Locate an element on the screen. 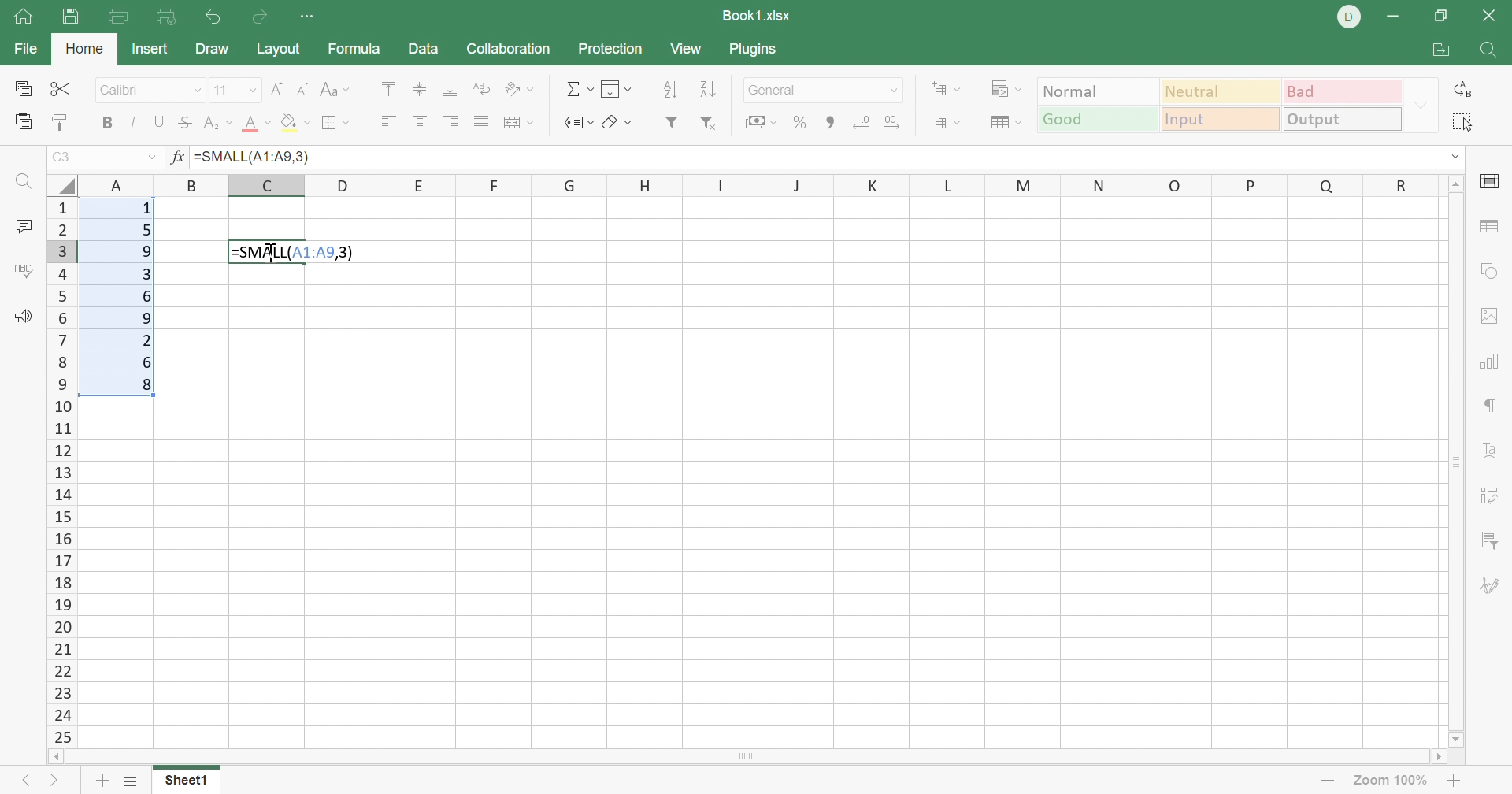 This screenshot has width=1512, height=794. Cursor is located at coordinates (272, 253).